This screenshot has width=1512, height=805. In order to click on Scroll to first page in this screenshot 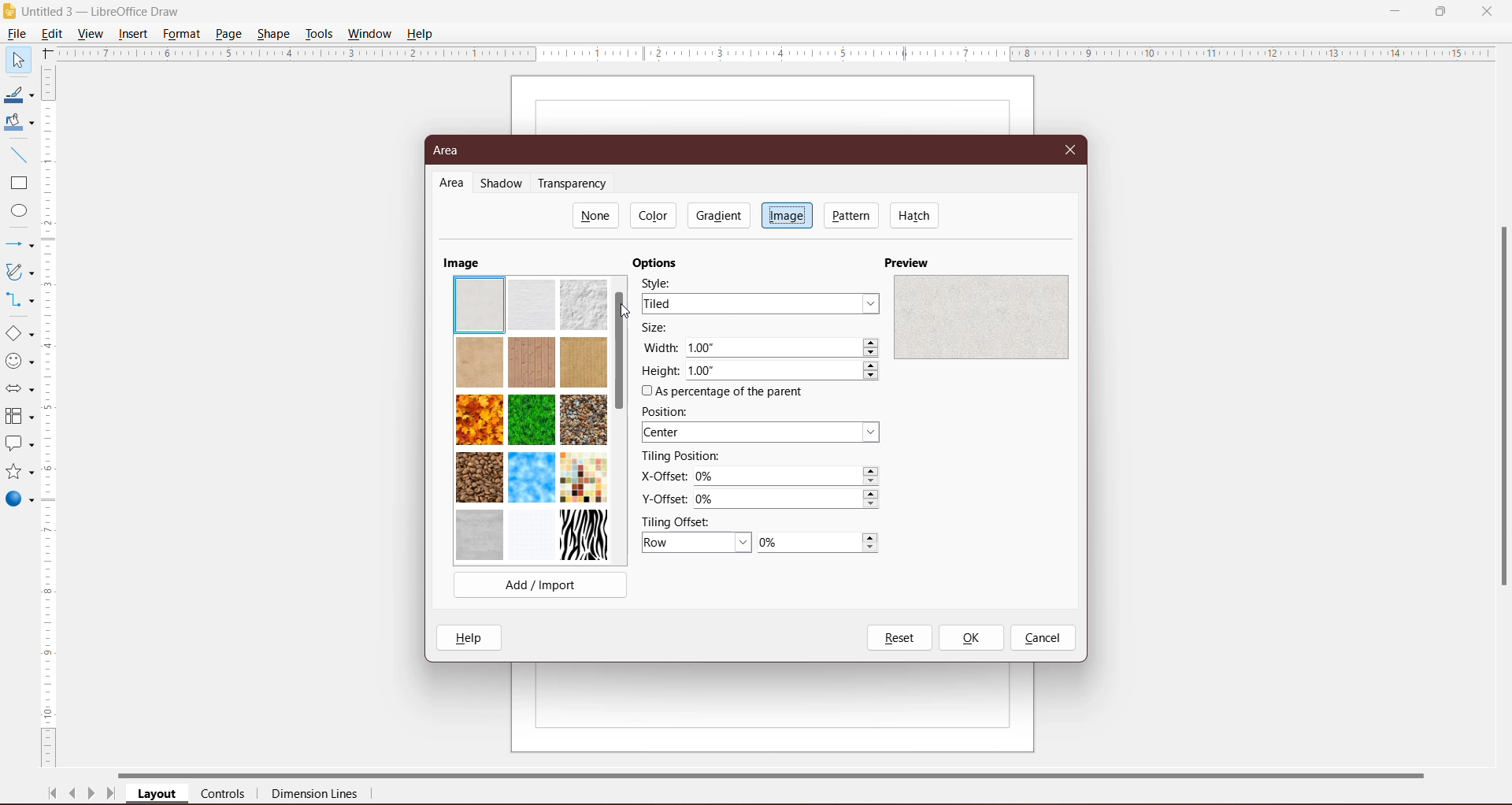, I will do `click(53, 793)`.